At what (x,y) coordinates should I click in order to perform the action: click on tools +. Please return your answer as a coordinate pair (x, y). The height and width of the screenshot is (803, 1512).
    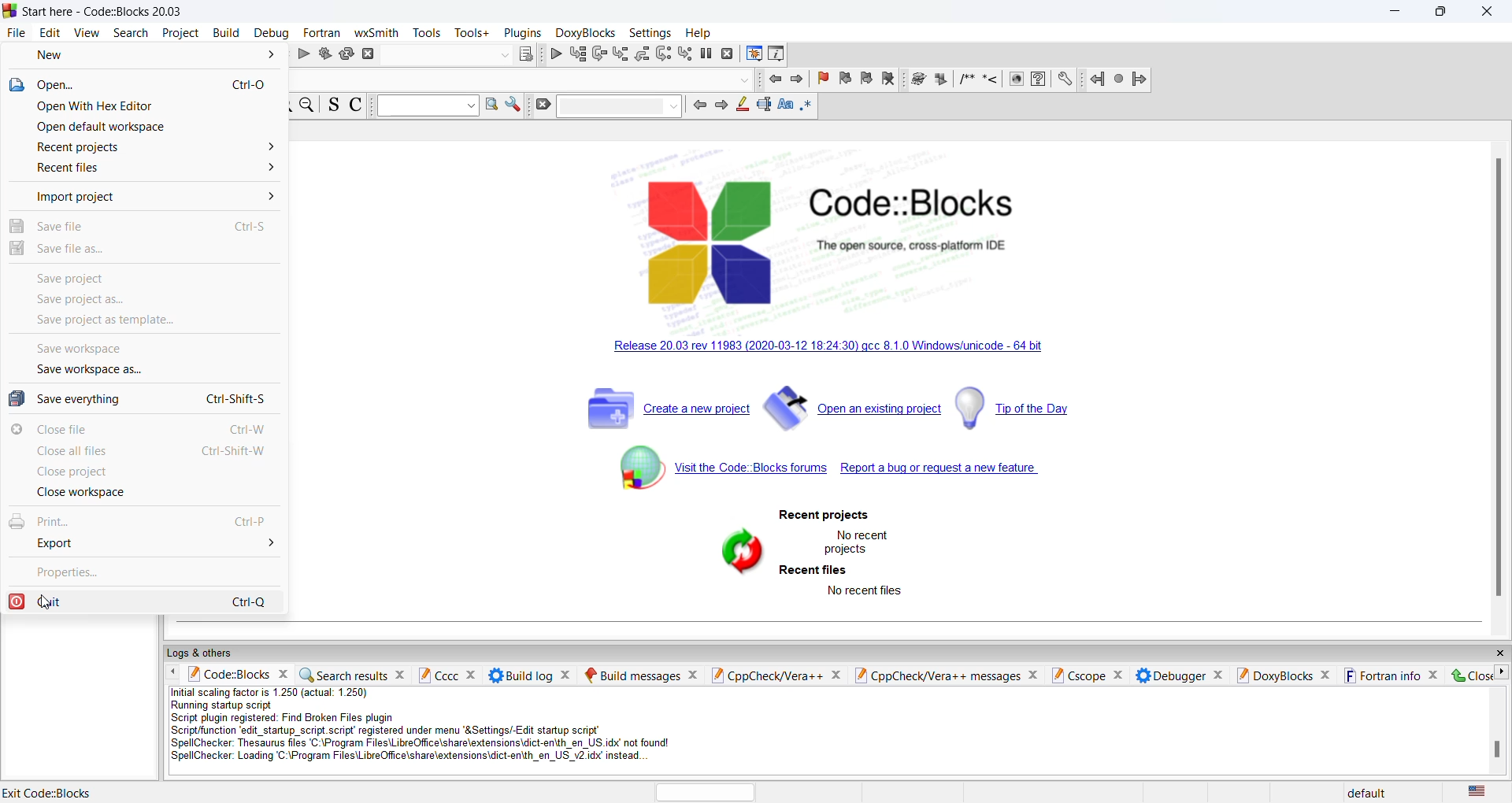
    Looking at the image, I should click on (472, 33).